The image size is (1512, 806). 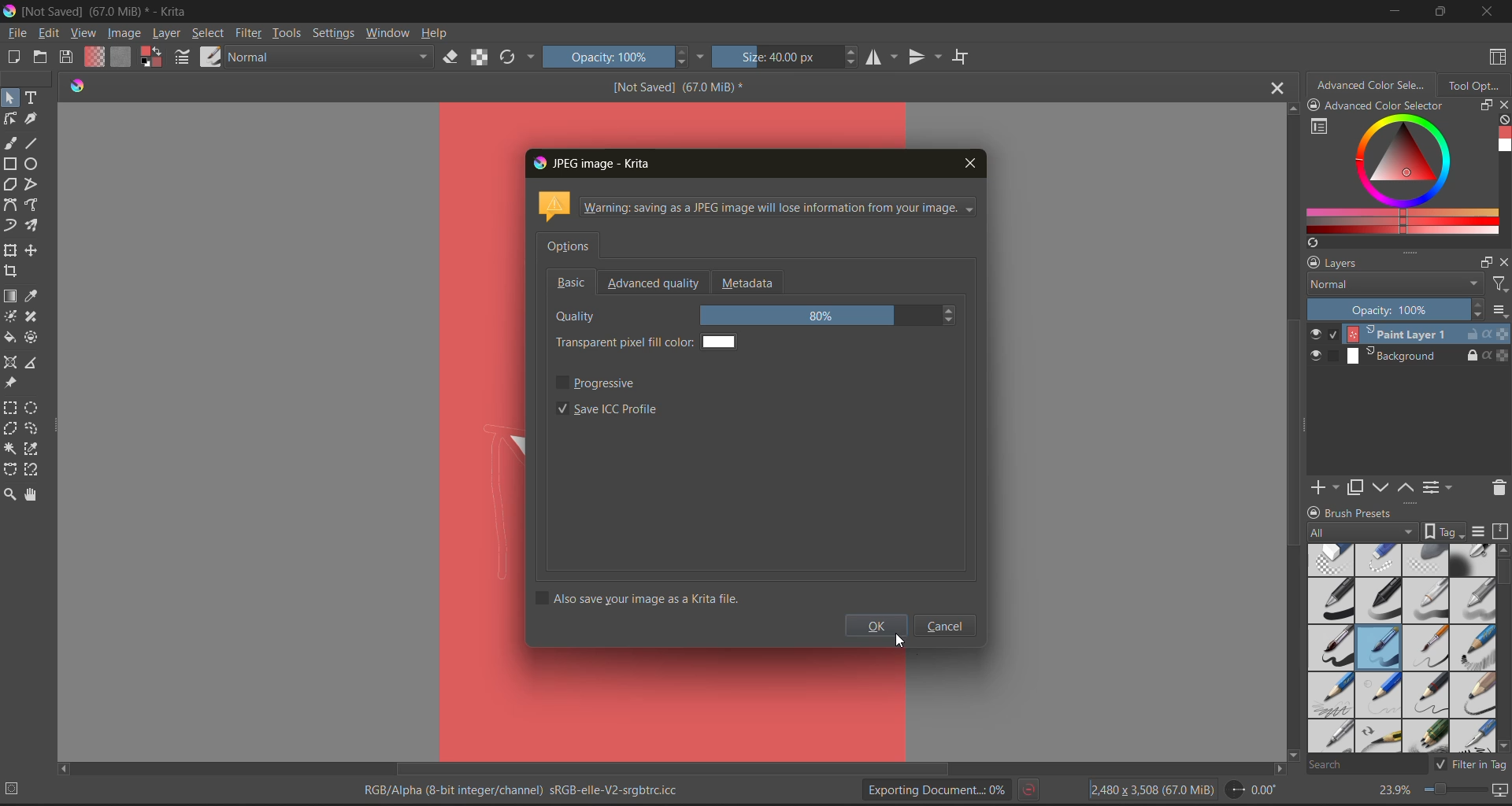 I want to click on flip angle, so click(x=1251, y=790).